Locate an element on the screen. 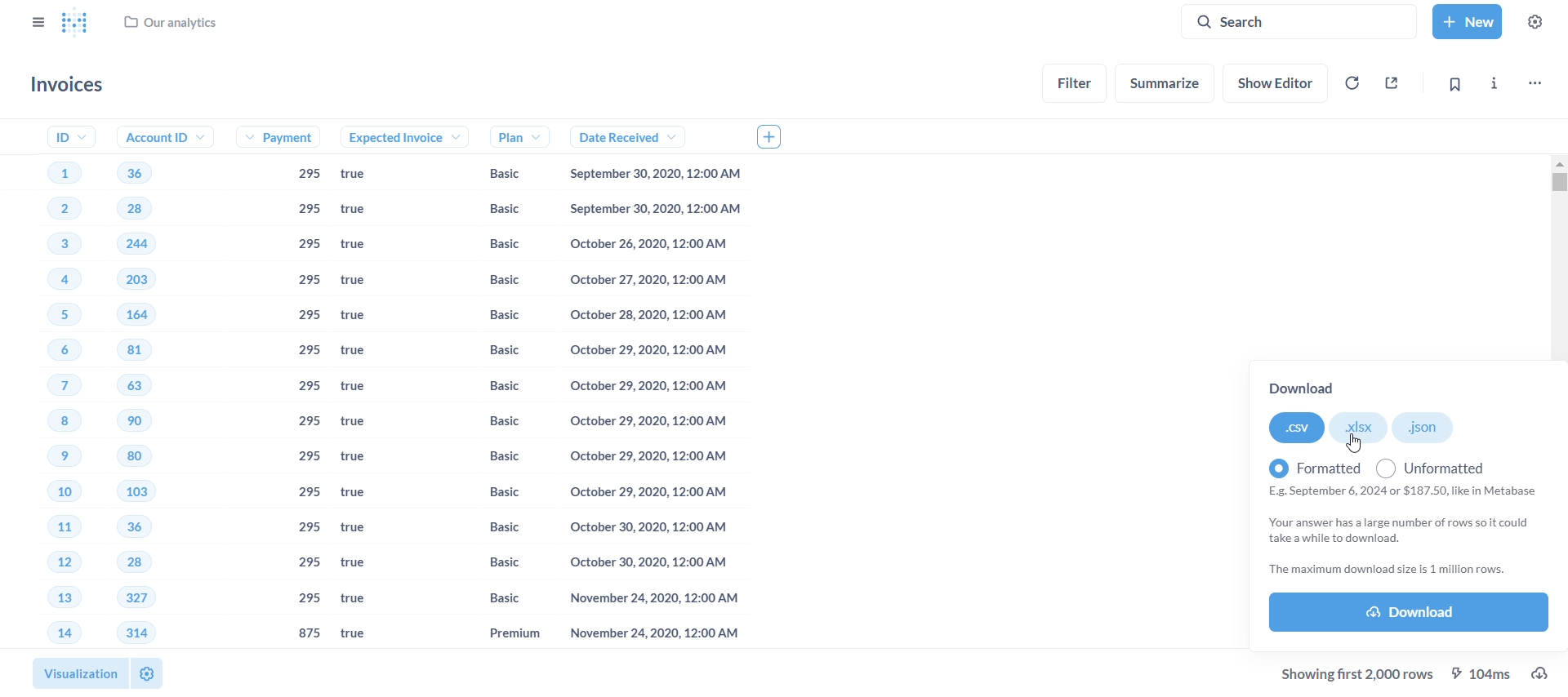 Image resolution: width=1568 pixels, height=697 pixels. expected voice is located at coordinates (388, 137).